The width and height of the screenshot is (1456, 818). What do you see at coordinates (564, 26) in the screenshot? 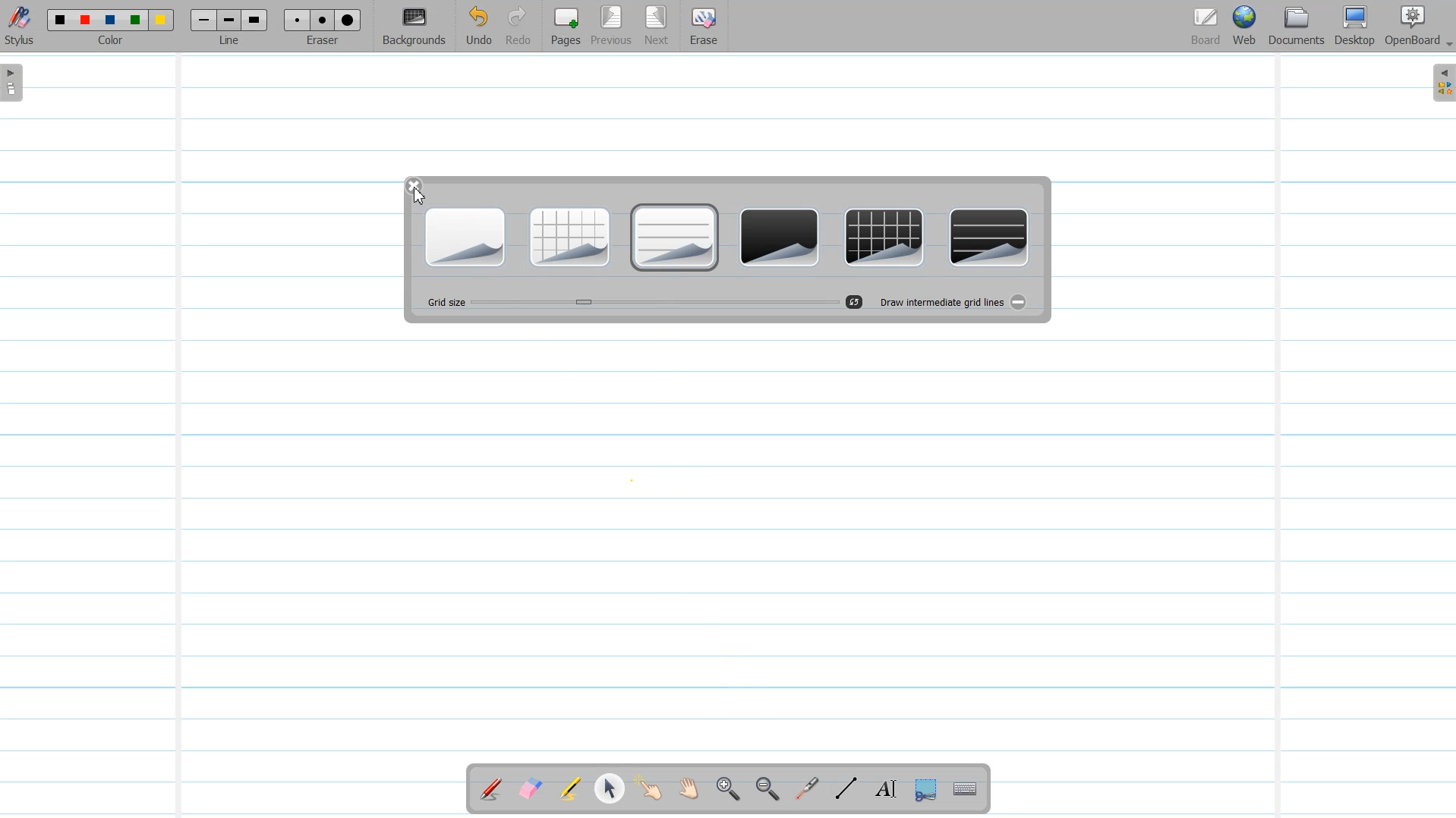
I see `Pages` at bounding box center [564, 26].